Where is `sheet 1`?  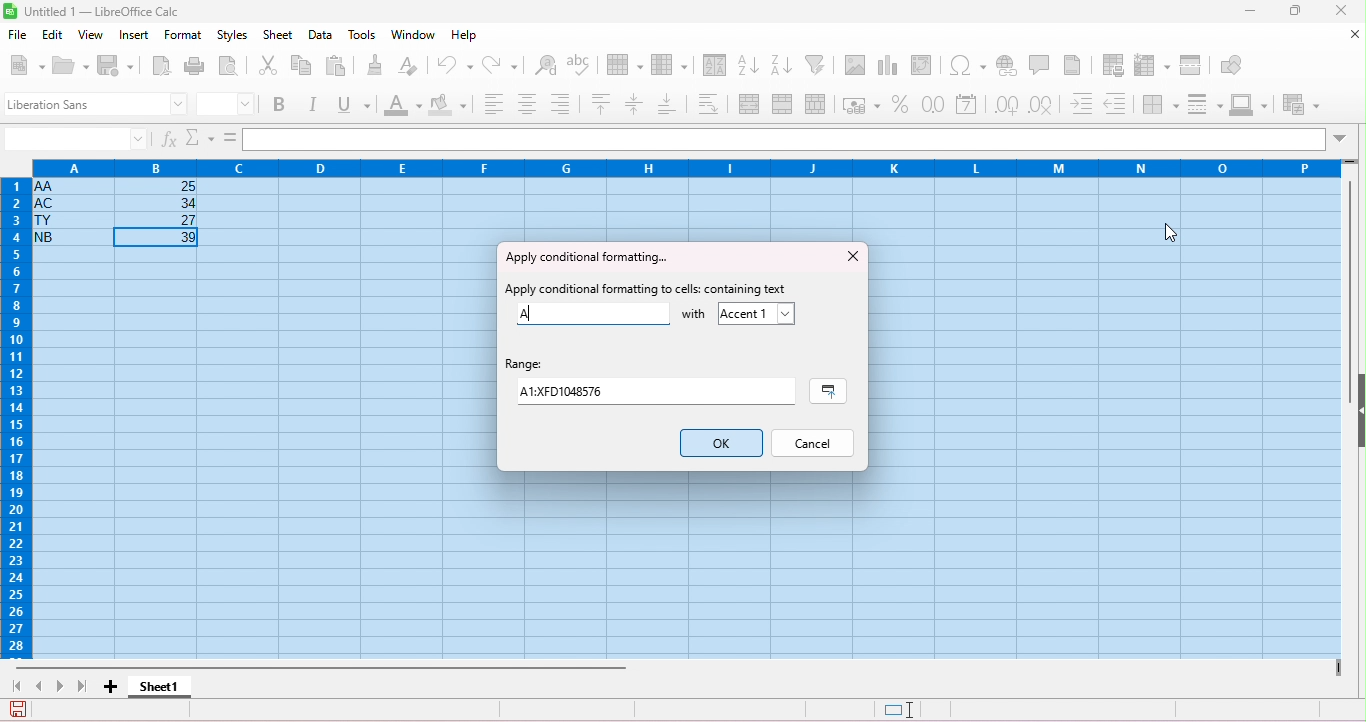 sheet 1 is located at coordinates (163, 689).